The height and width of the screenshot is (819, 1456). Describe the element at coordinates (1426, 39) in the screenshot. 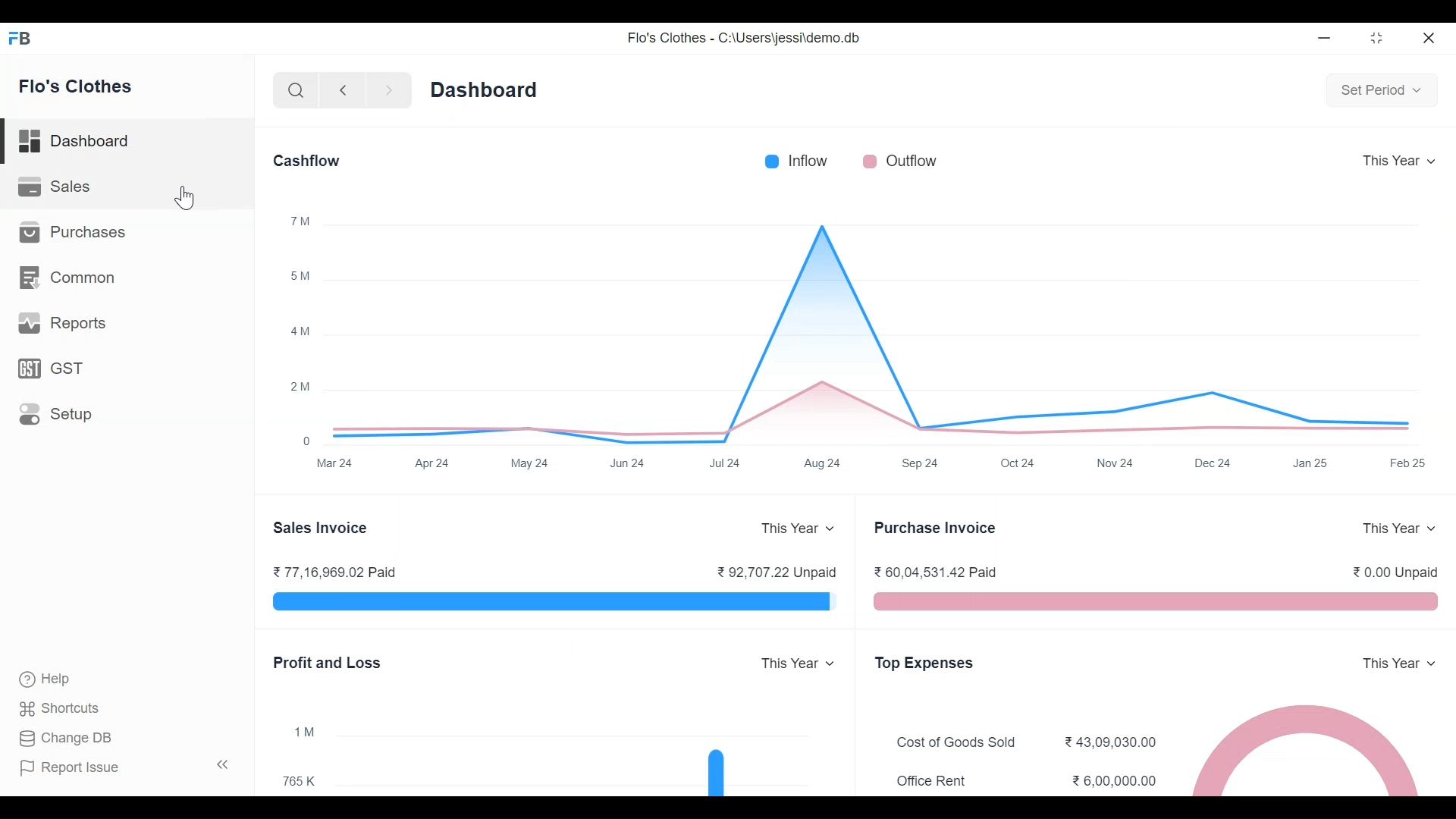

I see `Close` at that location.